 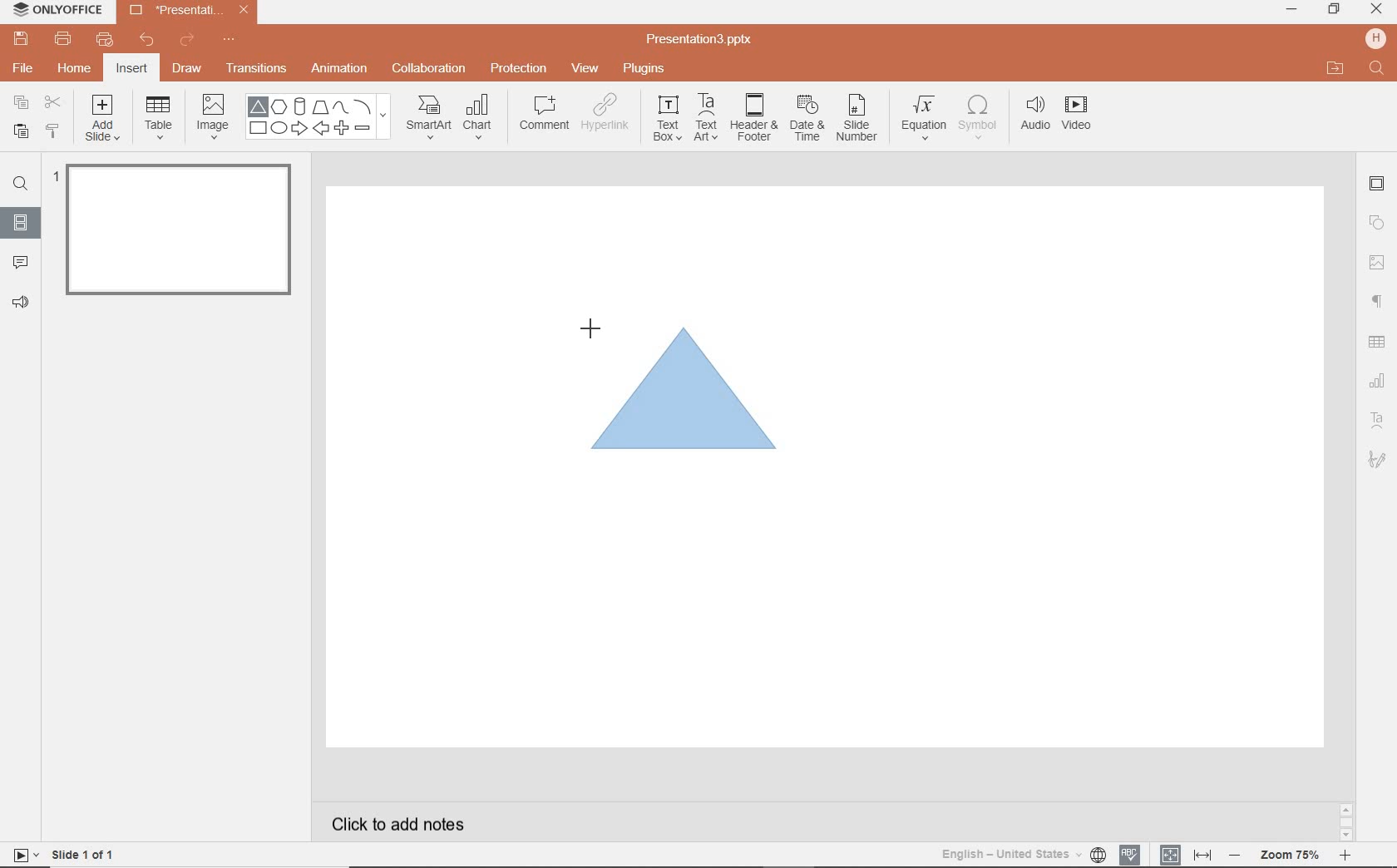 I want to click on ADD SLIDE, so click(x=105, y=121).